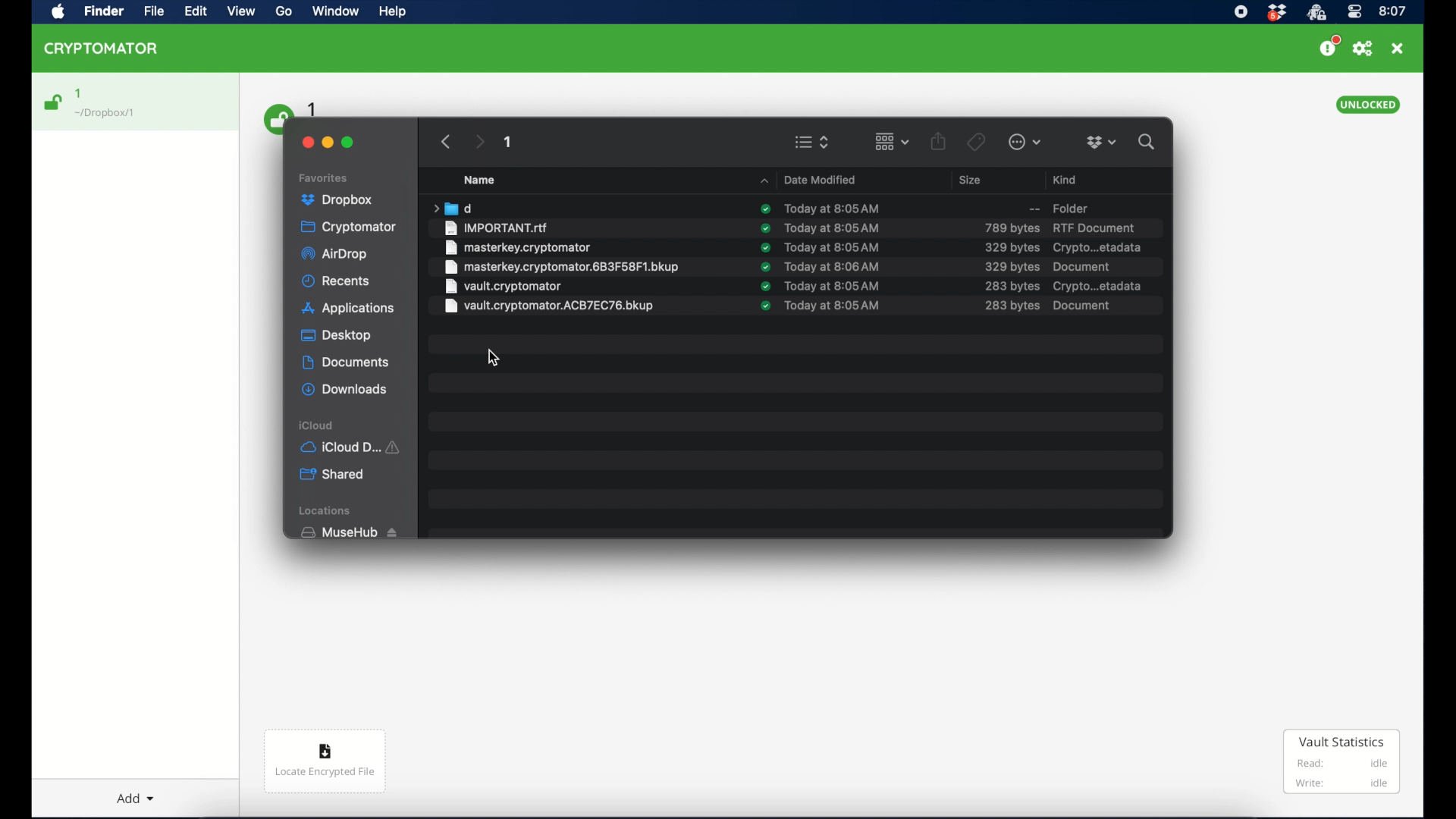  Describe the element at coordinates (329, 141) in the screenshot. I see `minimize` at that location.